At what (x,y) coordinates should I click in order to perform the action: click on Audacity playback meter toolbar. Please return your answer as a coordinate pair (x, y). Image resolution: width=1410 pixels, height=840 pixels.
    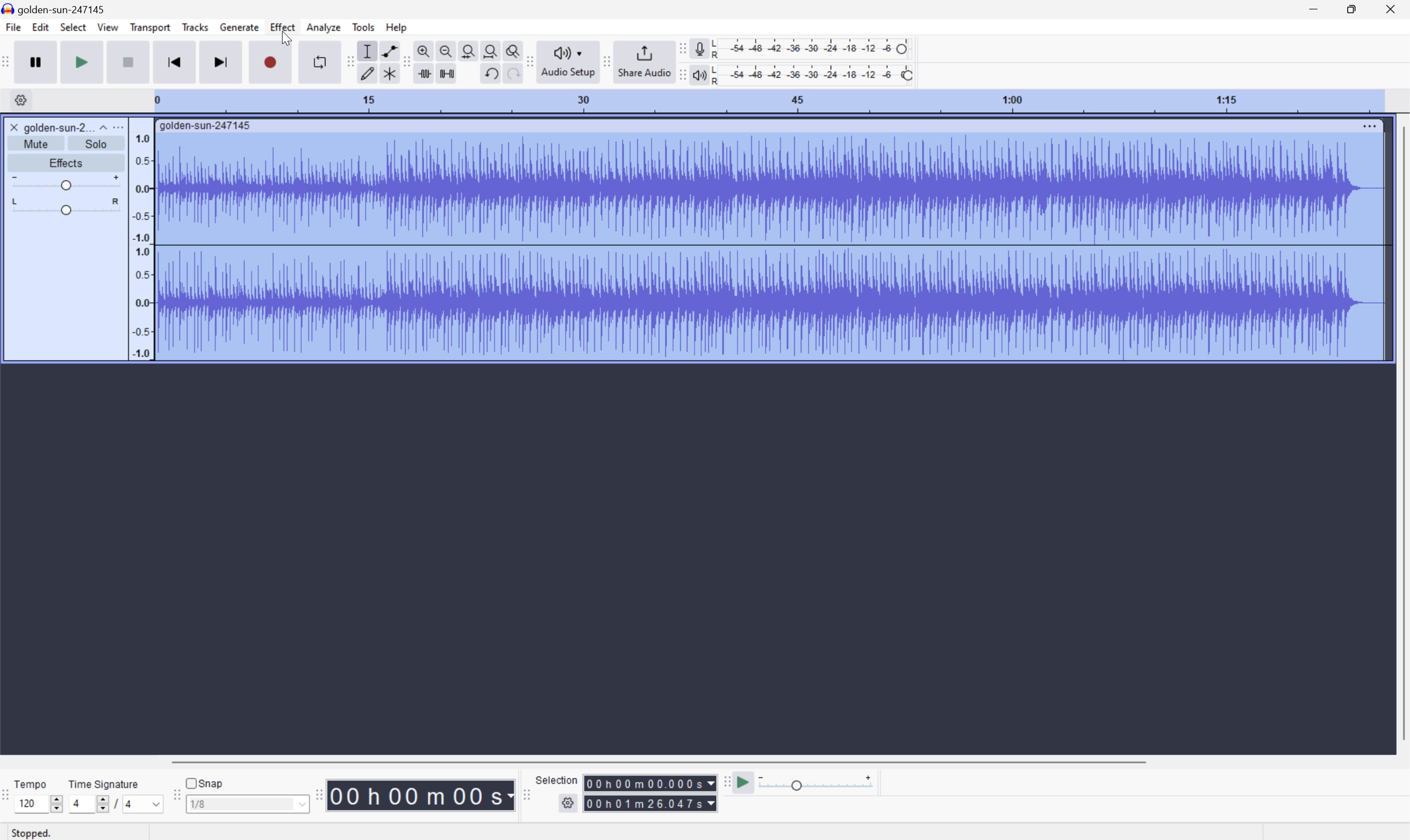
    Looking at the image, I should click on (682, 74).